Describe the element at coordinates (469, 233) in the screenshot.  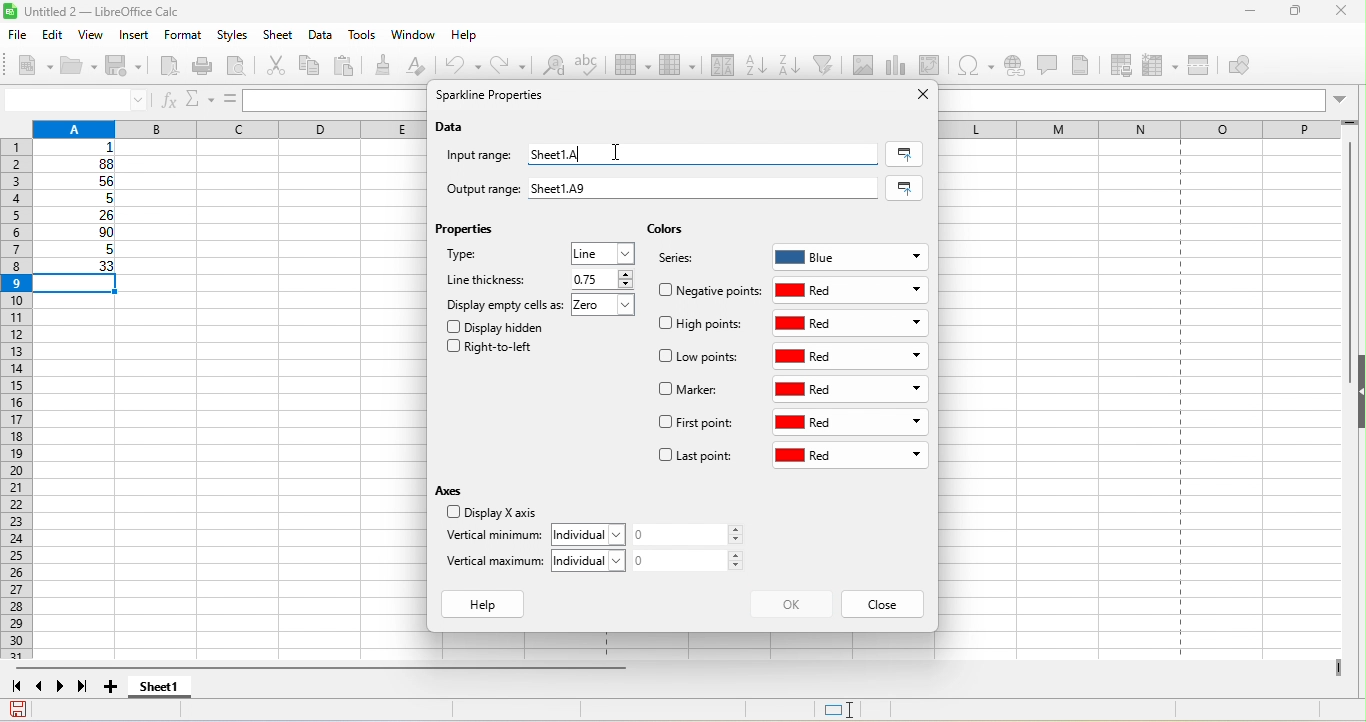
I see `properties` at that location.